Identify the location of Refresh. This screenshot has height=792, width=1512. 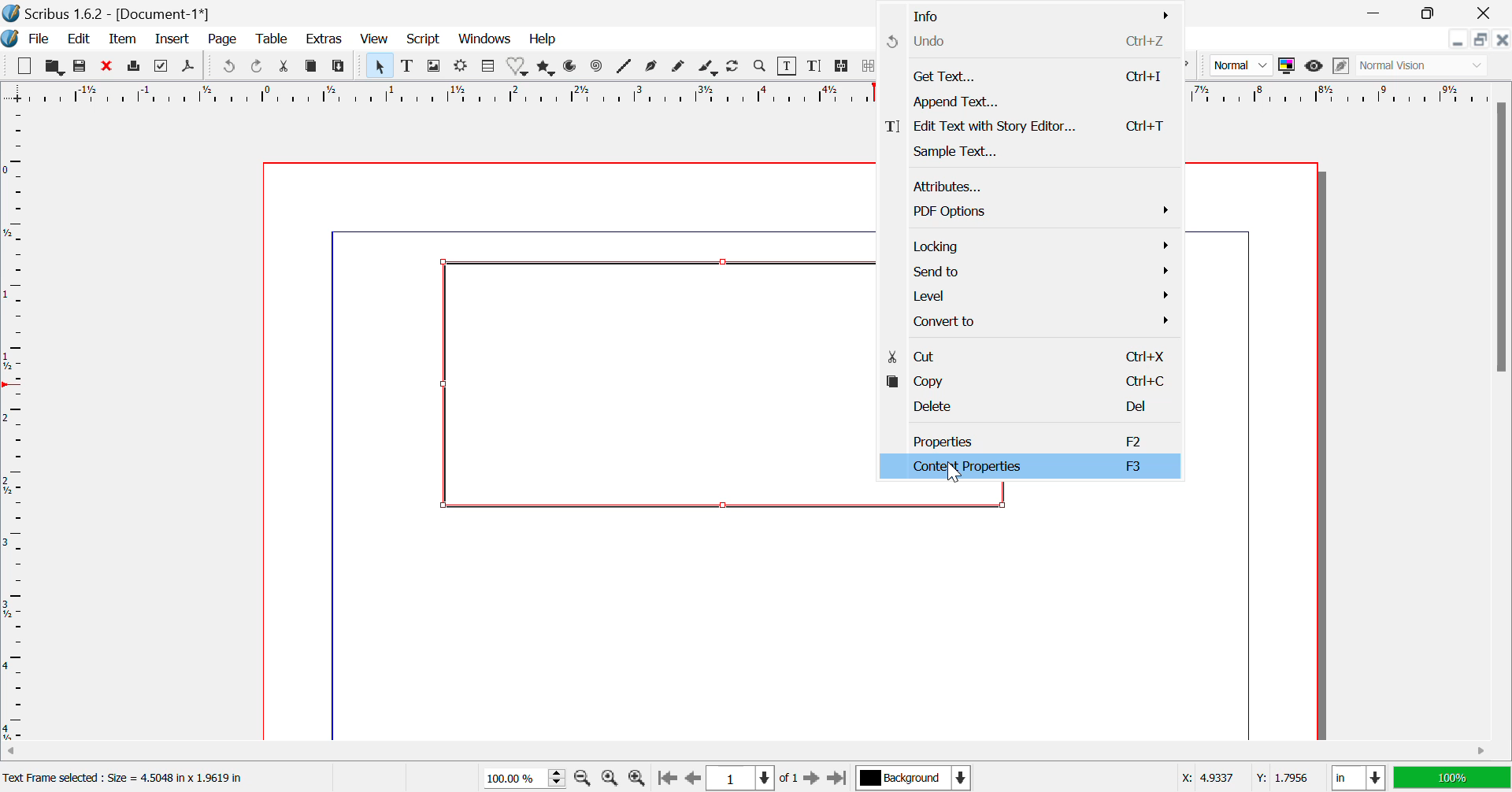
(736, 68).